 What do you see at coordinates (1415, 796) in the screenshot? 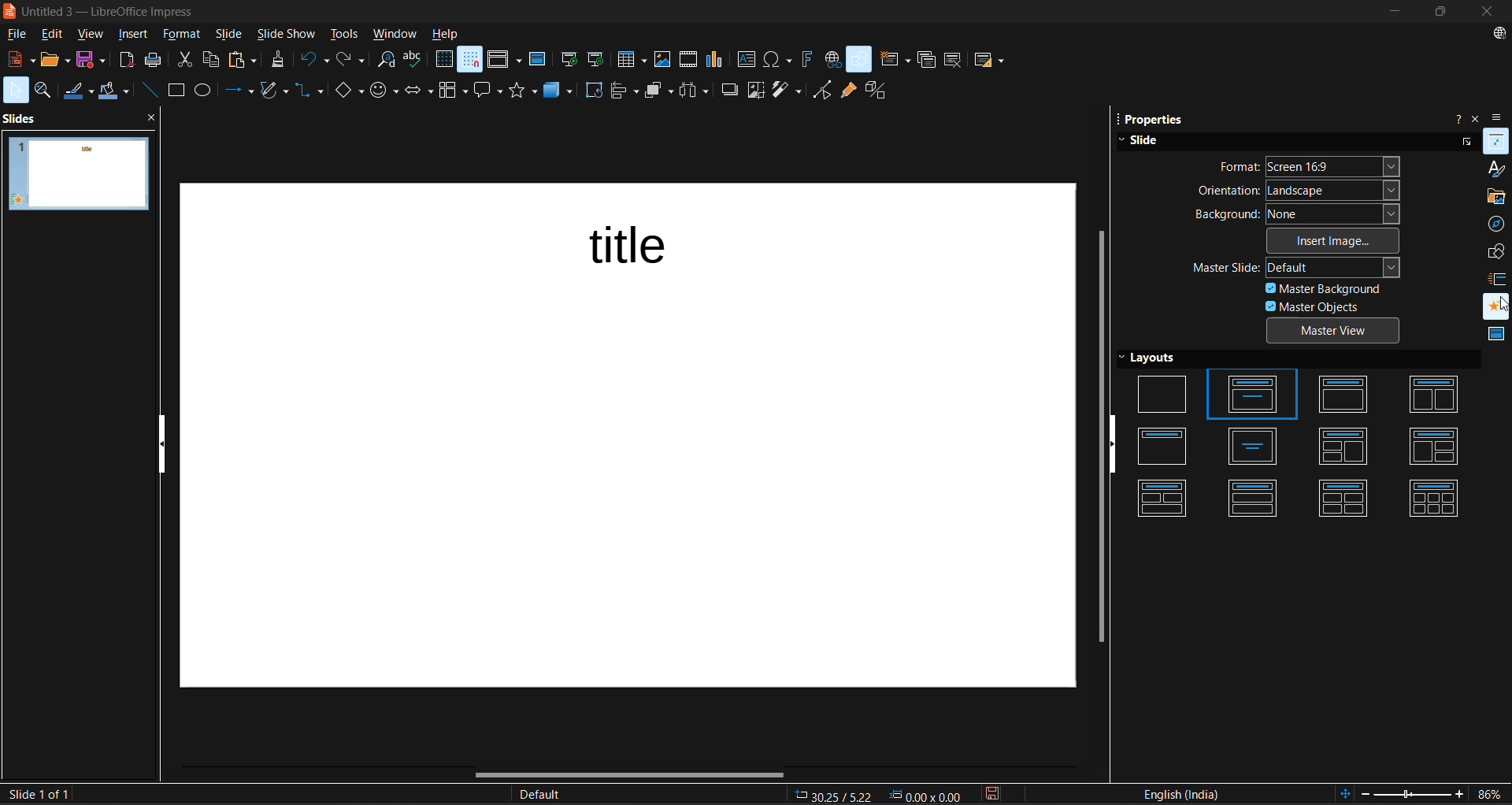
I see `zoom slider` at bounding box center [1415, 796].